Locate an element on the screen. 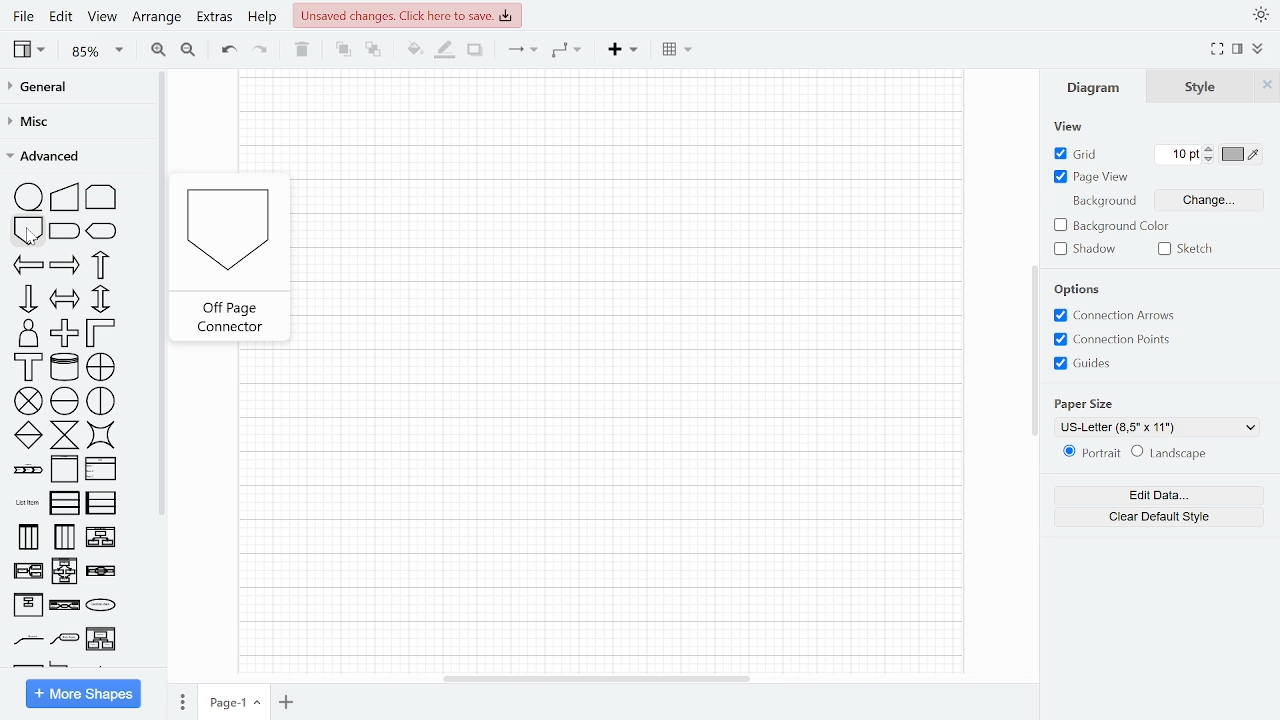  vertical tree layout is located at coordinates (103, 538).